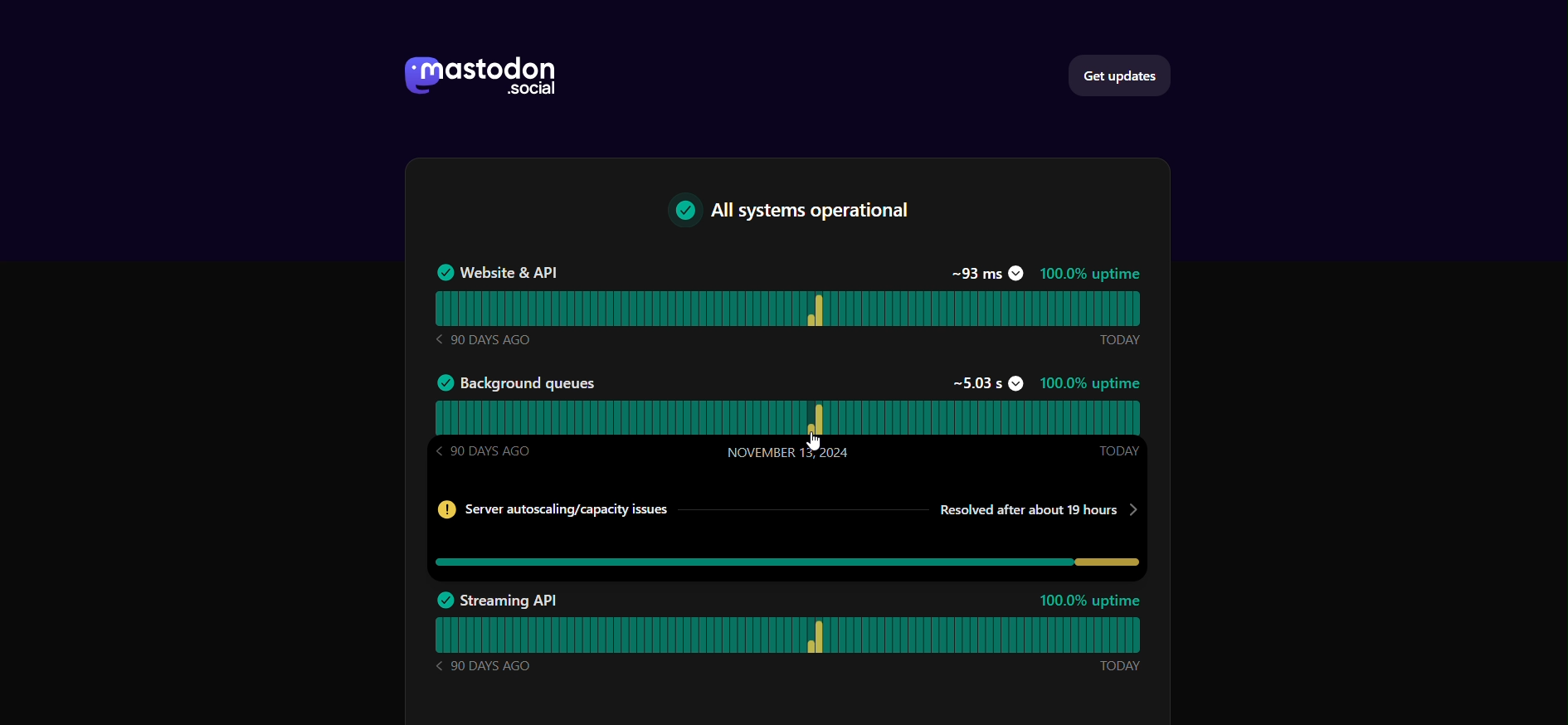 Image resolution: width=1568 pixels, height=725 pixels. What do you see at coordinates (789, 417) in the screenshot?
I see `background queues status` at bounding box center [789, 417].